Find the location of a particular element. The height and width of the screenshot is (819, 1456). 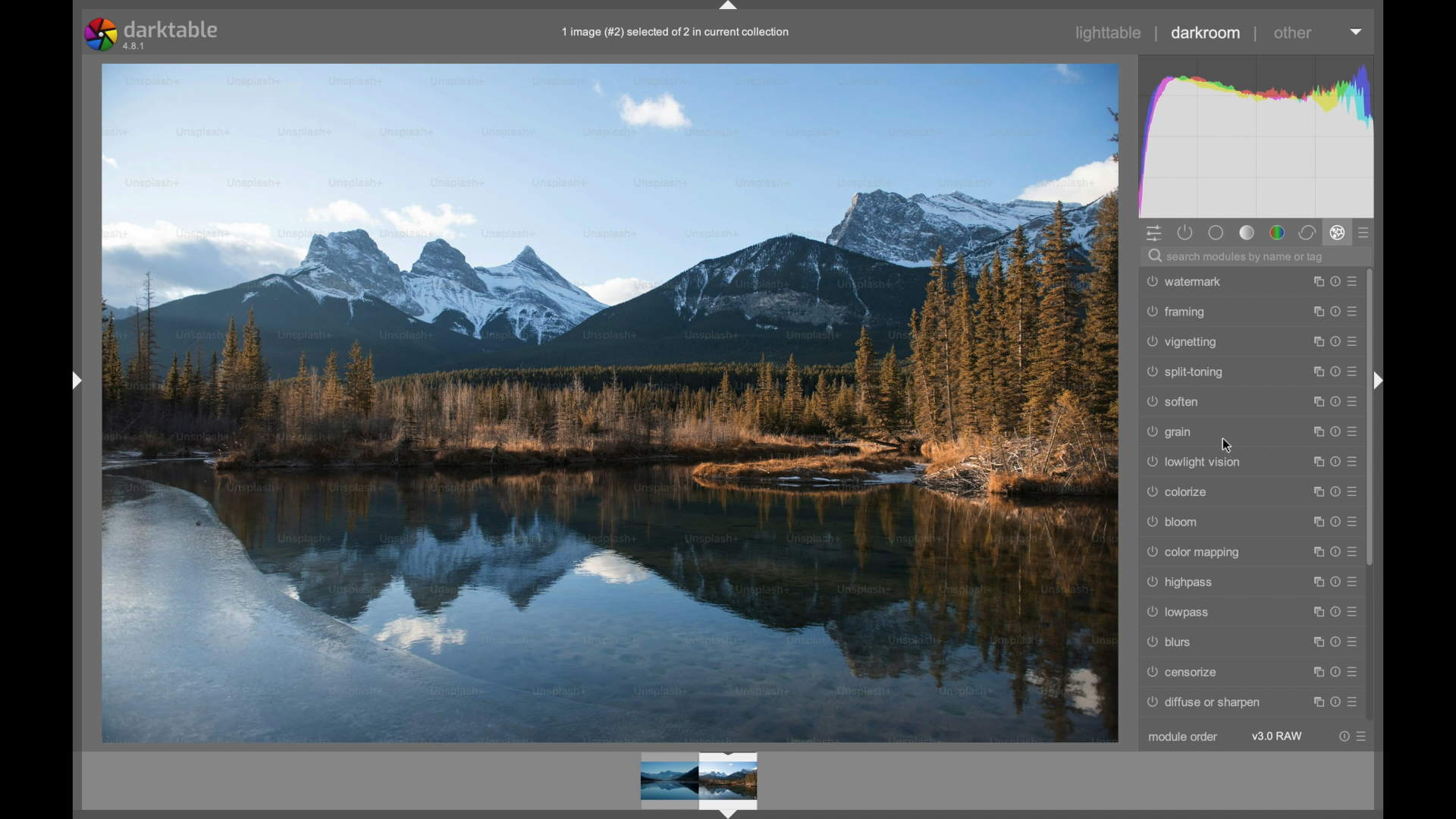

bloom is located at coordinates (1176, 522).